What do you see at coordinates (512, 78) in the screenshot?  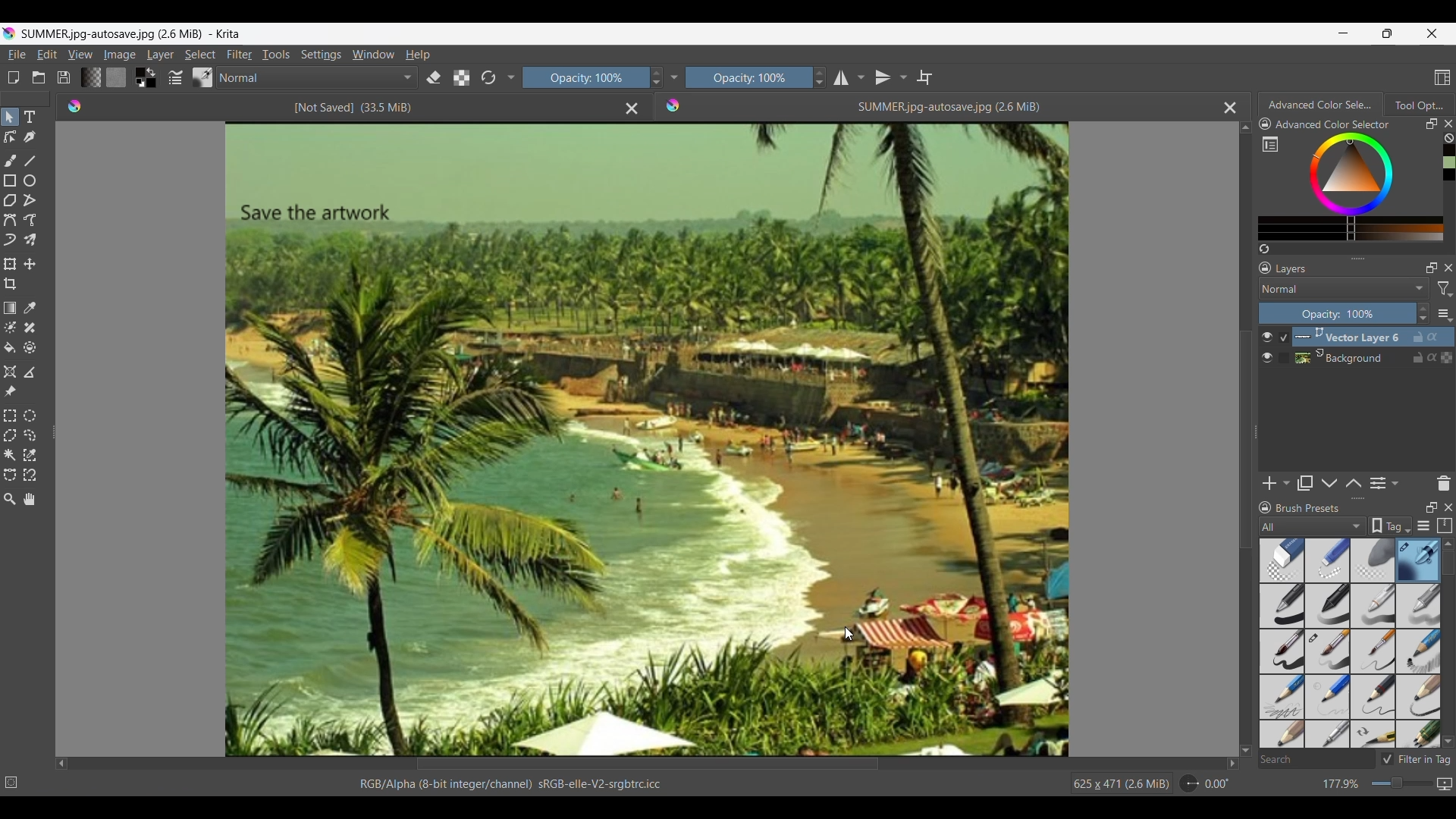 I see `Show/Hide more tools` at bounding box center [512, 78].